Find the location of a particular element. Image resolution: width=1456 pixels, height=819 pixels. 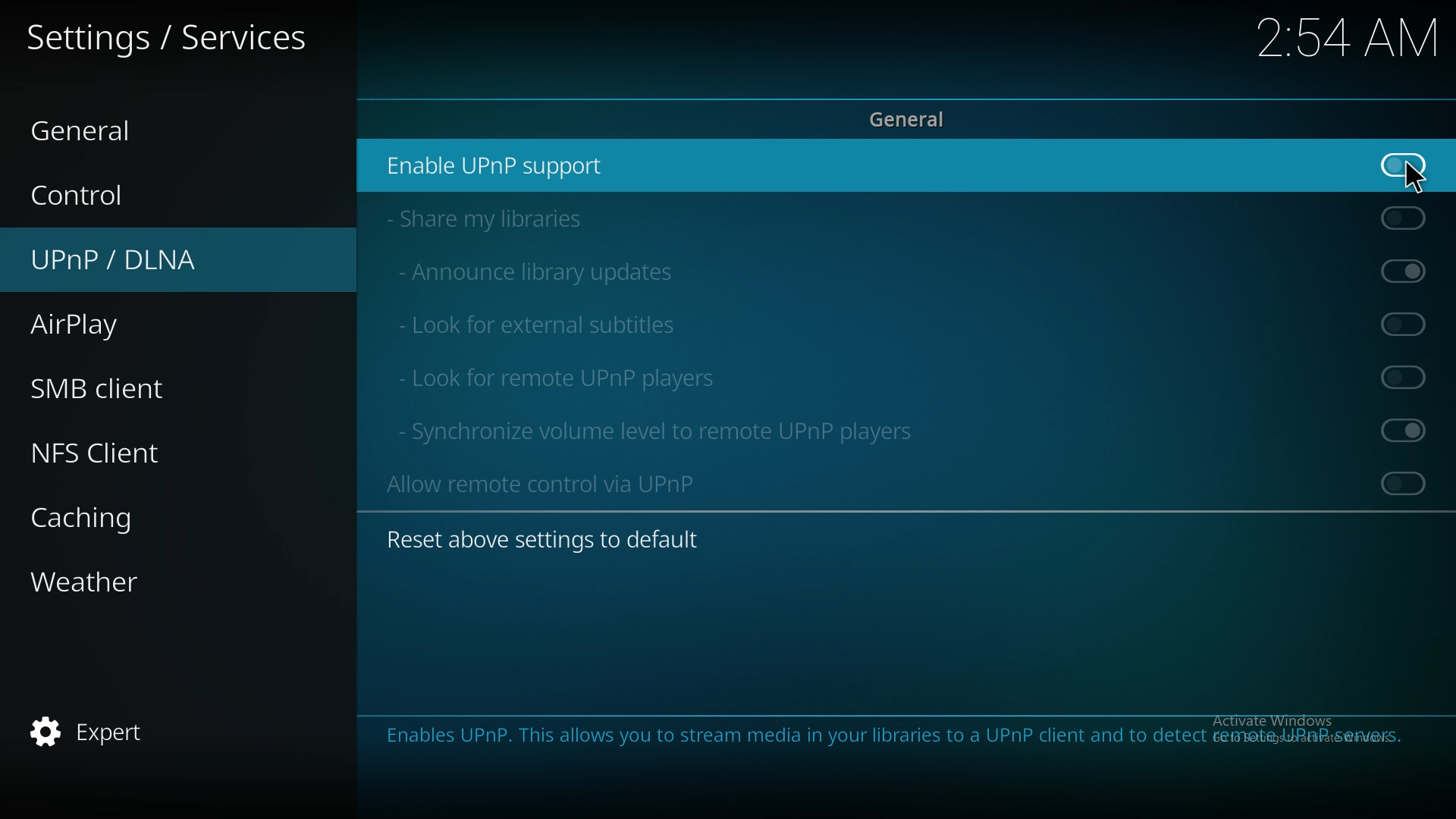

share my libraries is located at coordinates (497, 218).